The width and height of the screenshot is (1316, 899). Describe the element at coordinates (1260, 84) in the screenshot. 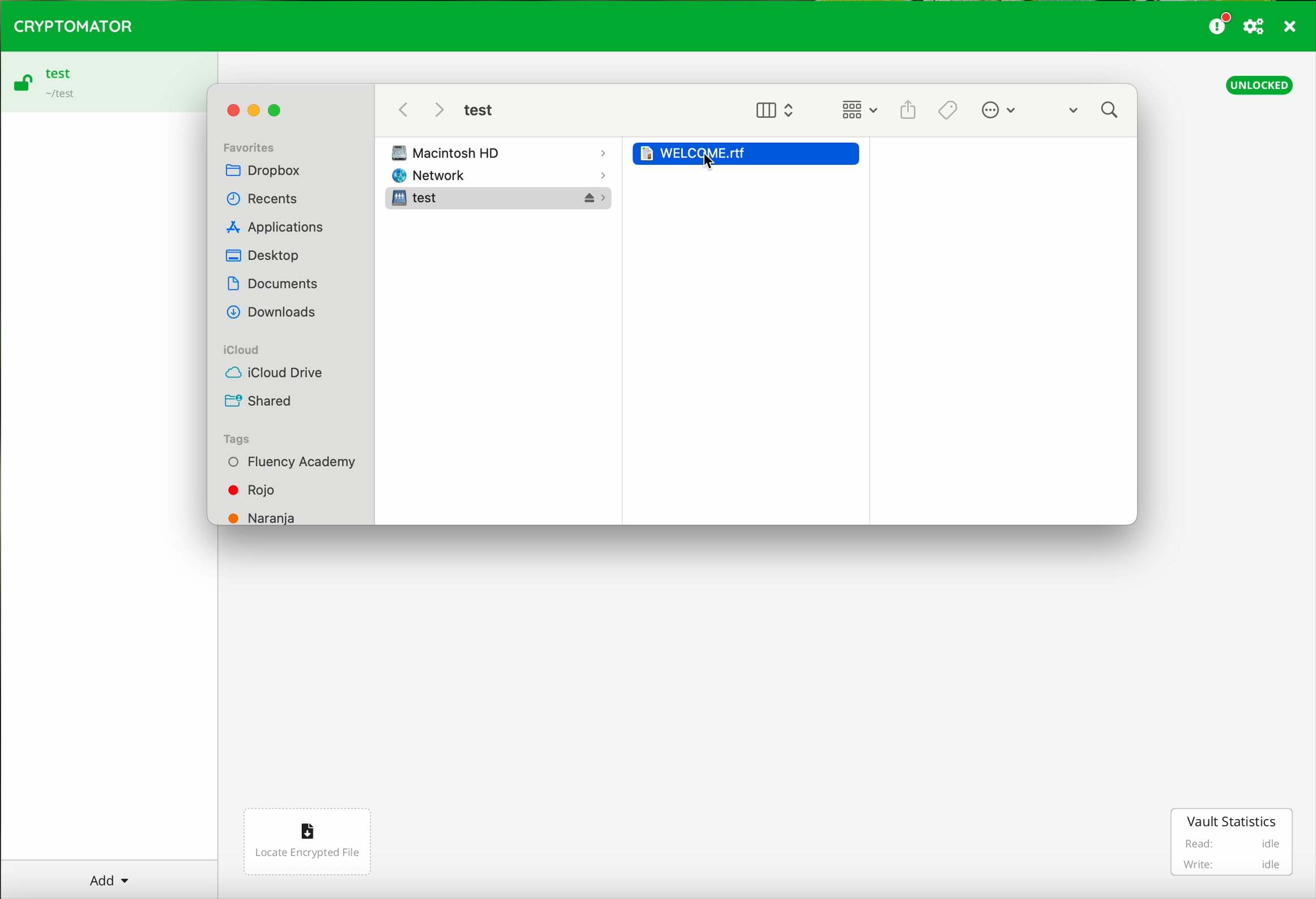

I see `unlocked` at that location.